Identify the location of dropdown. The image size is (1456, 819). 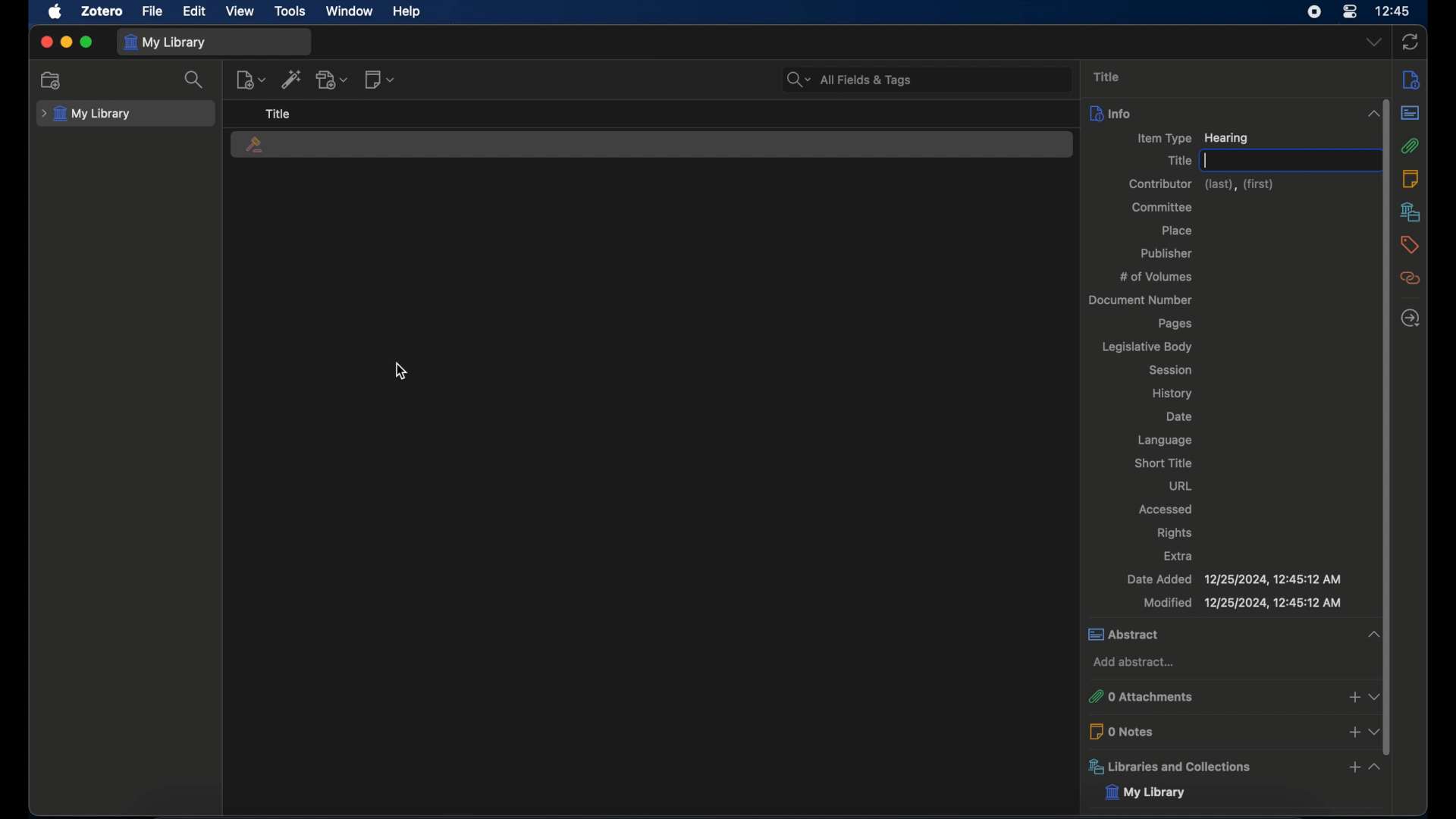
(1374, 41).